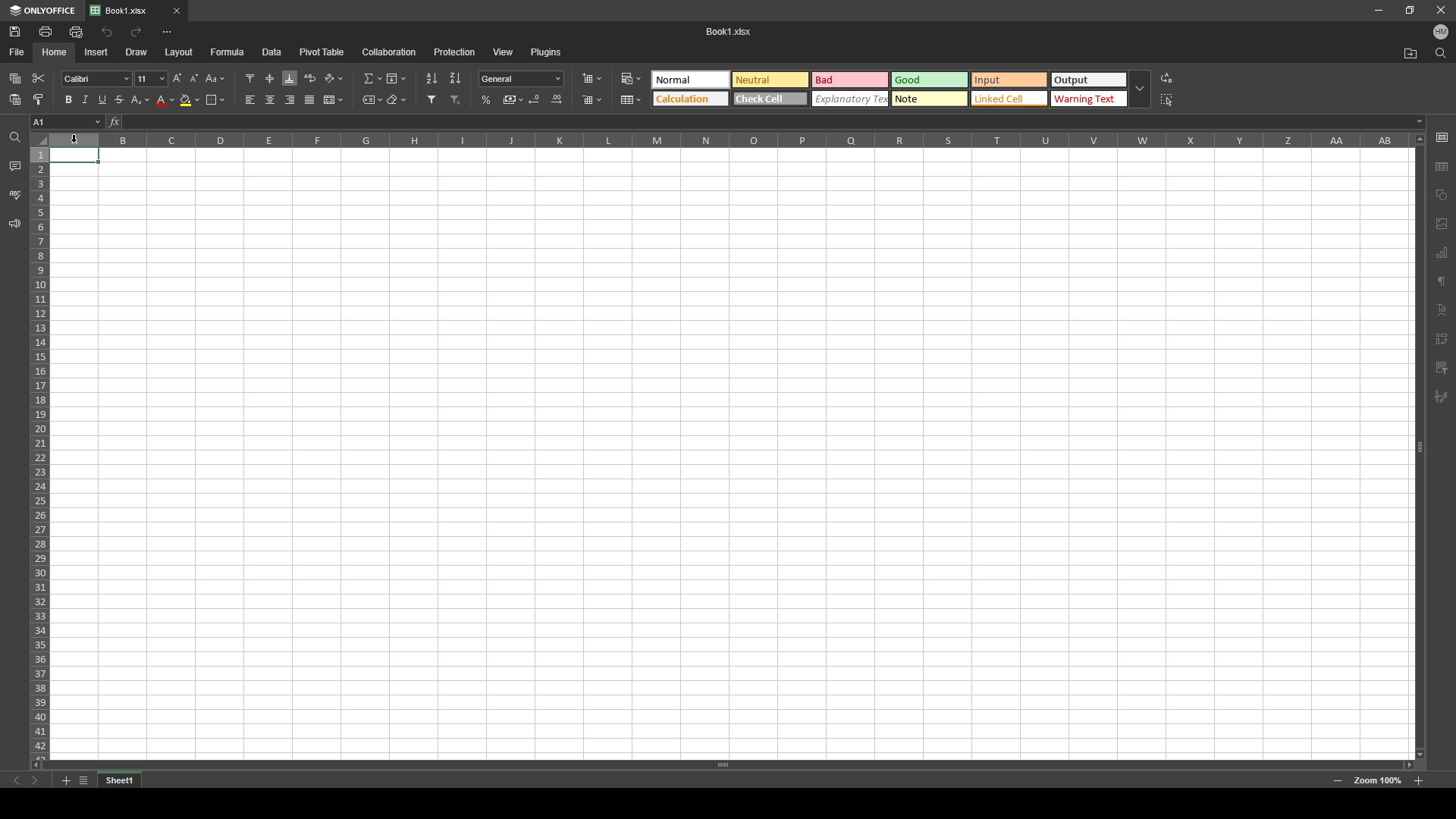  Describe the element at coordinates (190, 100) in the screenshot. I see `fill color` at that location.